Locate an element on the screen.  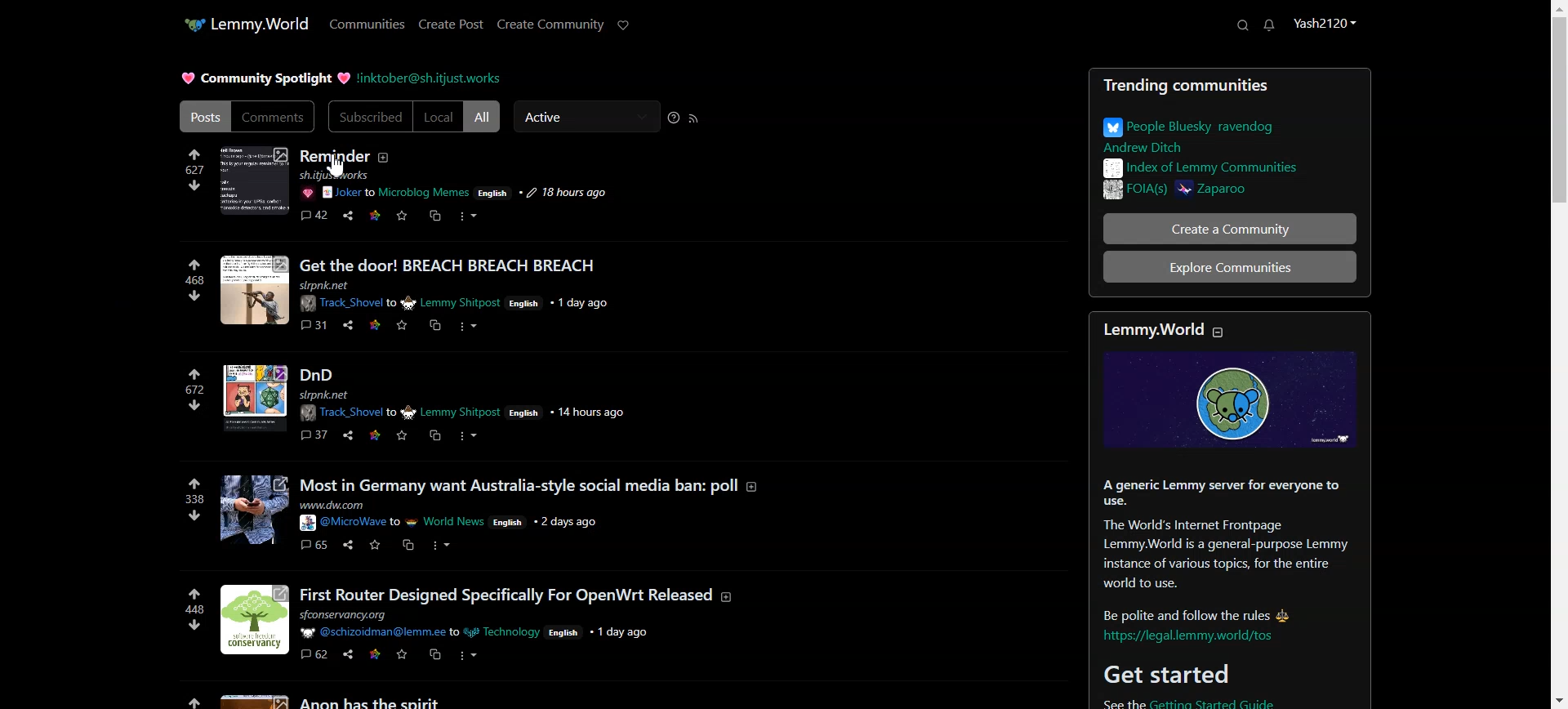
English is located at coordinates (492, 193).